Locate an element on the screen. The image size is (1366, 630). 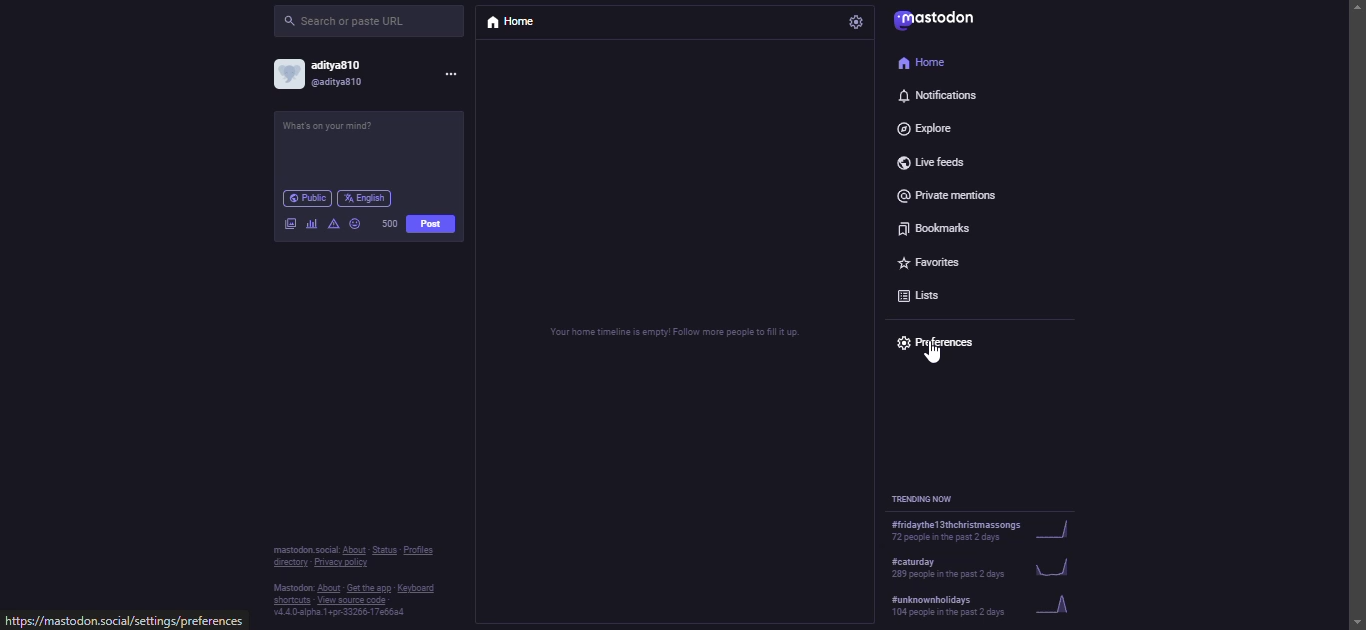
trending is located at coordinates (977, 528).